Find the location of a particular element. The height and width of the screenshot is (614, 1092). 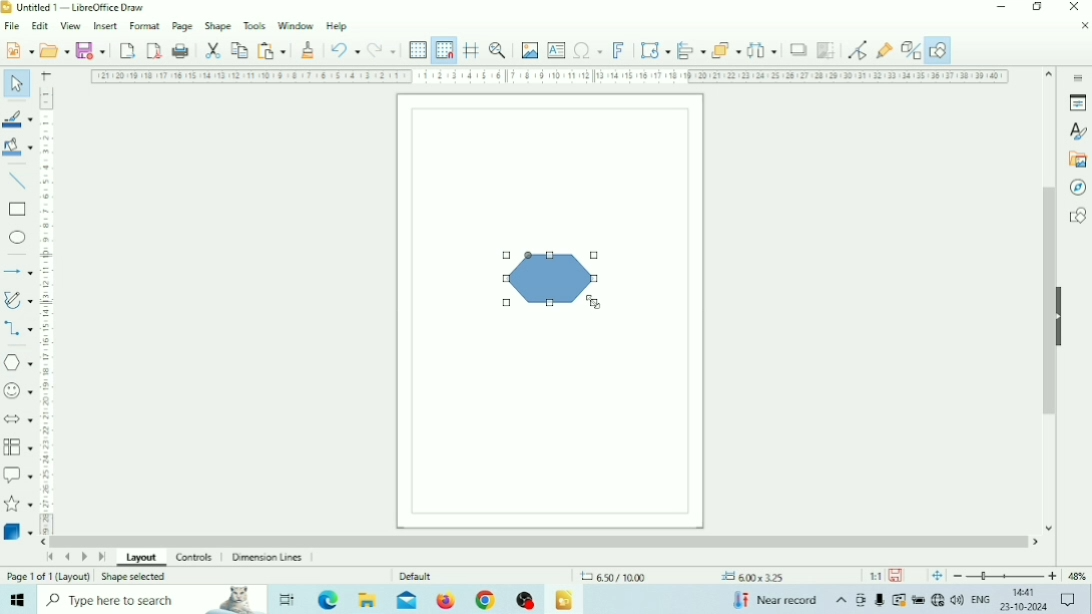

Sidebar settings is located at coordinates (1077, 76).